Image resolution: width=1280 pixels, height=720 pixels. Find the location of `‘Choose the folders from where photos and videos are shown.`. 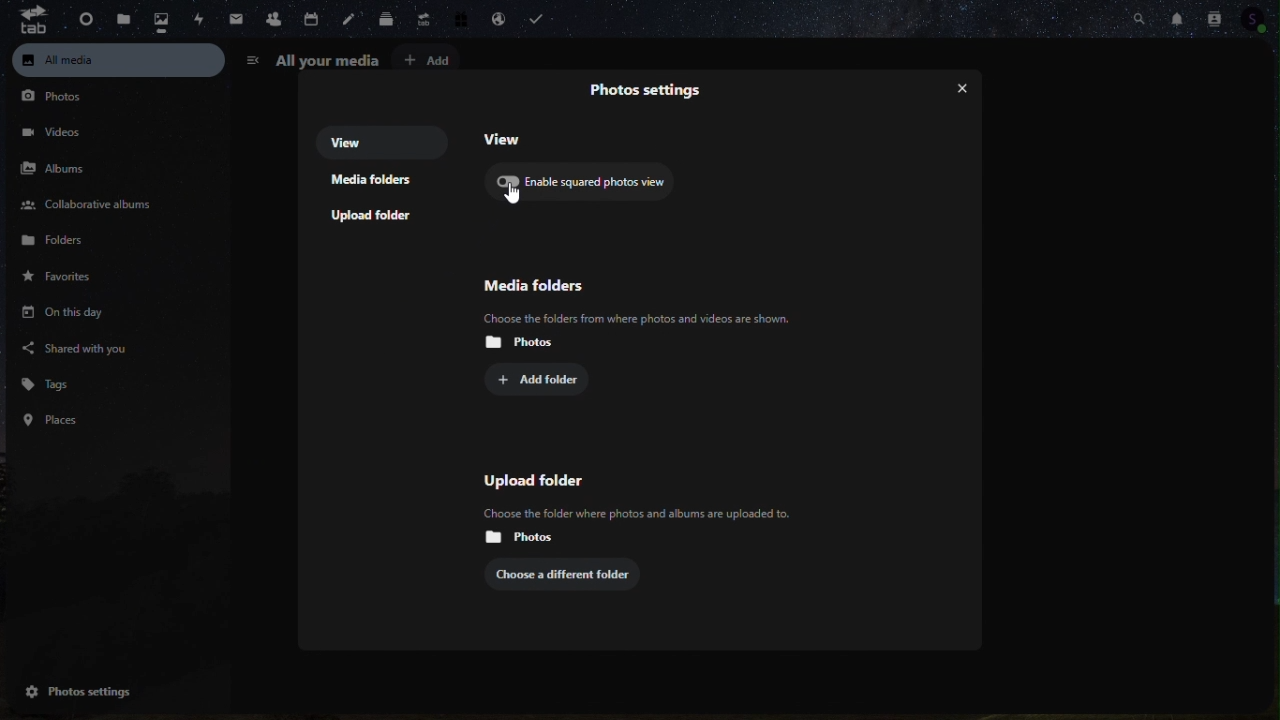

‘Choose the folders from where photos and videos are shown. is located at coordinates (636, 318).